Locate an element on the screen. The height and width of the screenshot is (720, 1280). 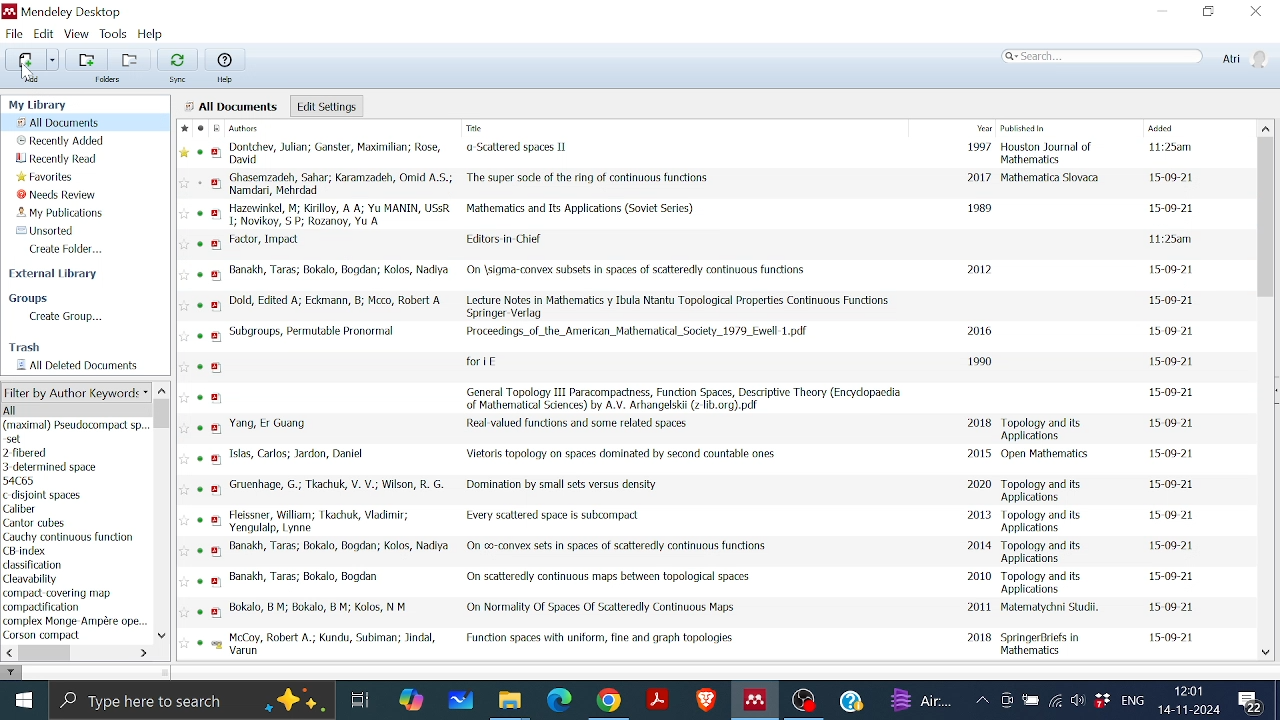
Create folder is located at coordinates (64, 250).